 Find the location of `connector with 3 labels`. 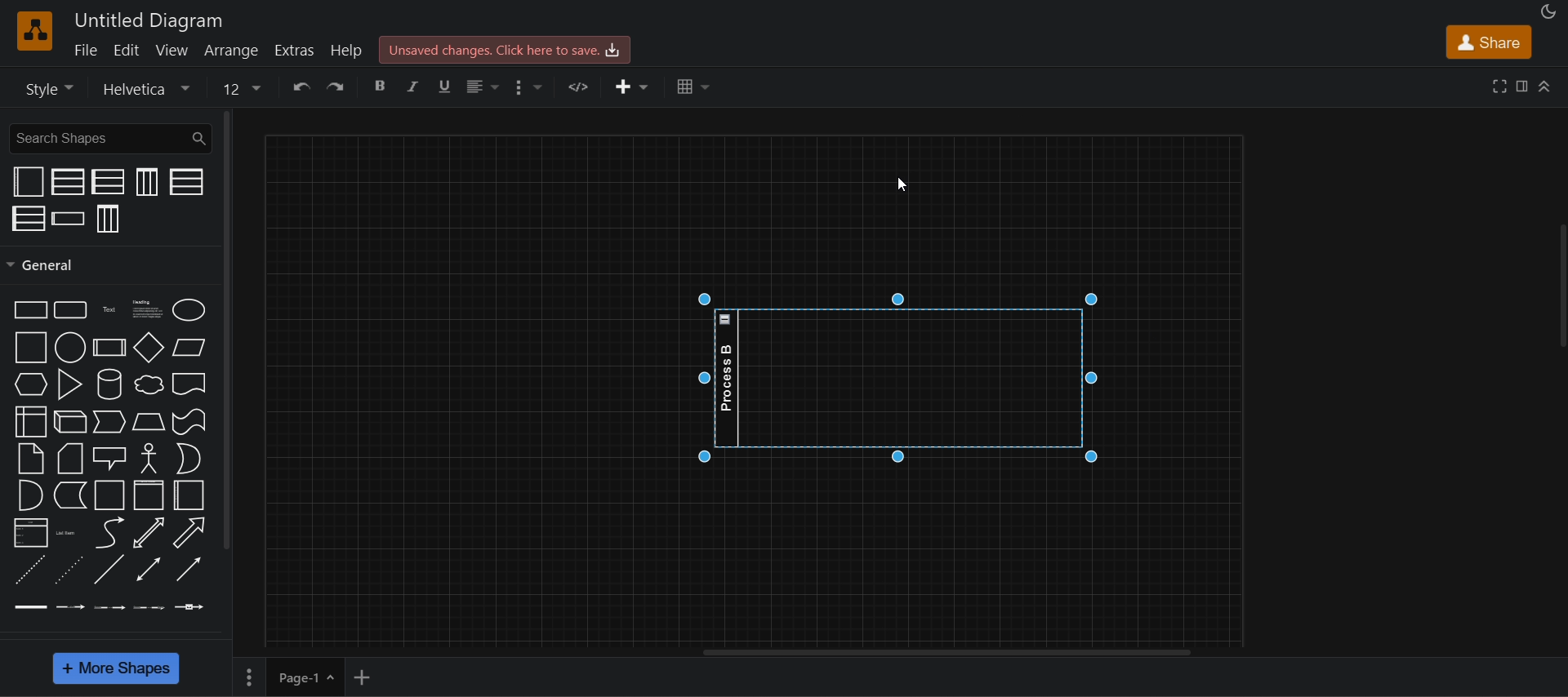

connector with 3 labels is located at coordinates (149, 608).